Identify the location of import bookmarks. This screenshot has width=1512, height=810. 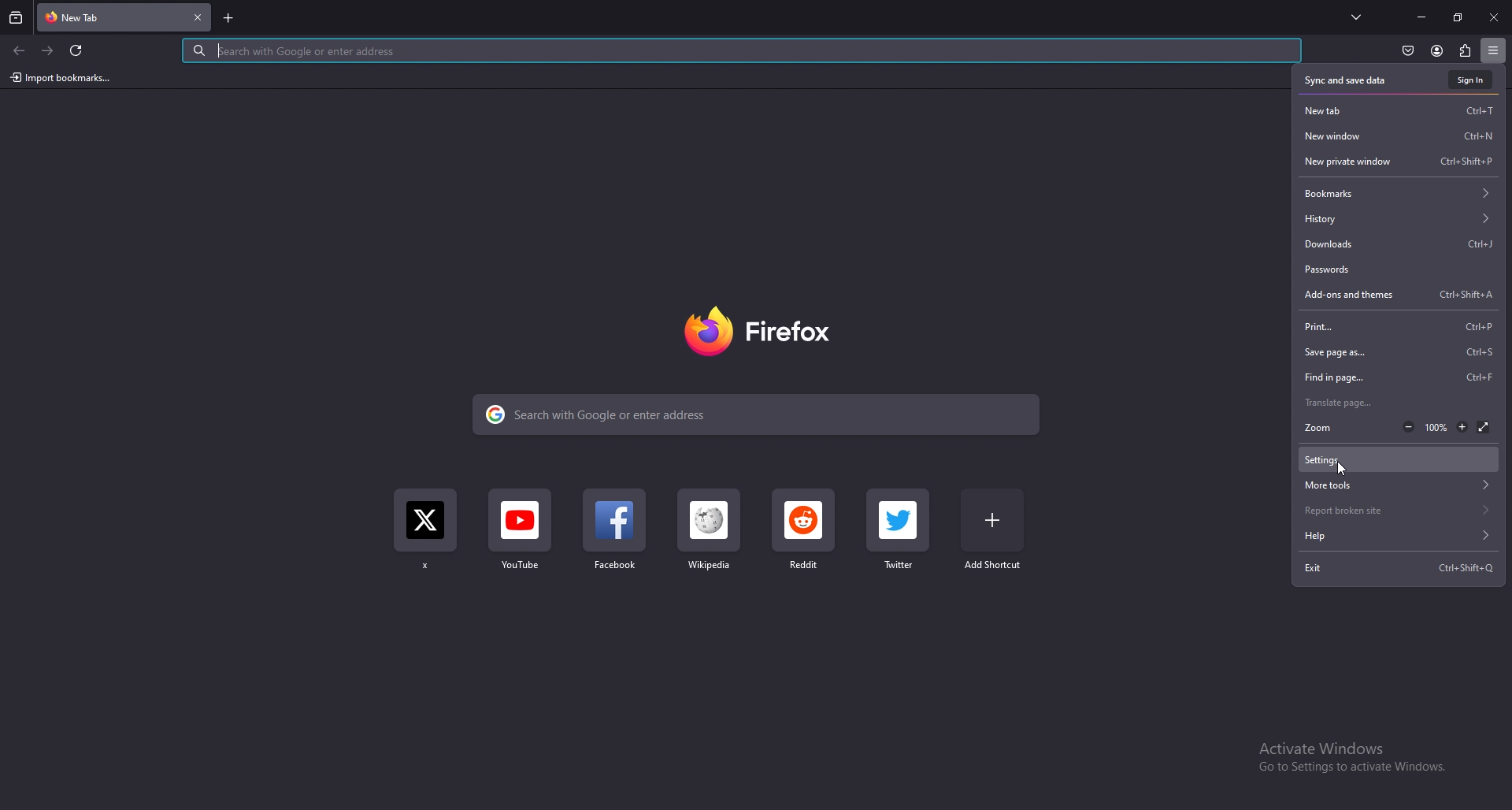
(61, 78).